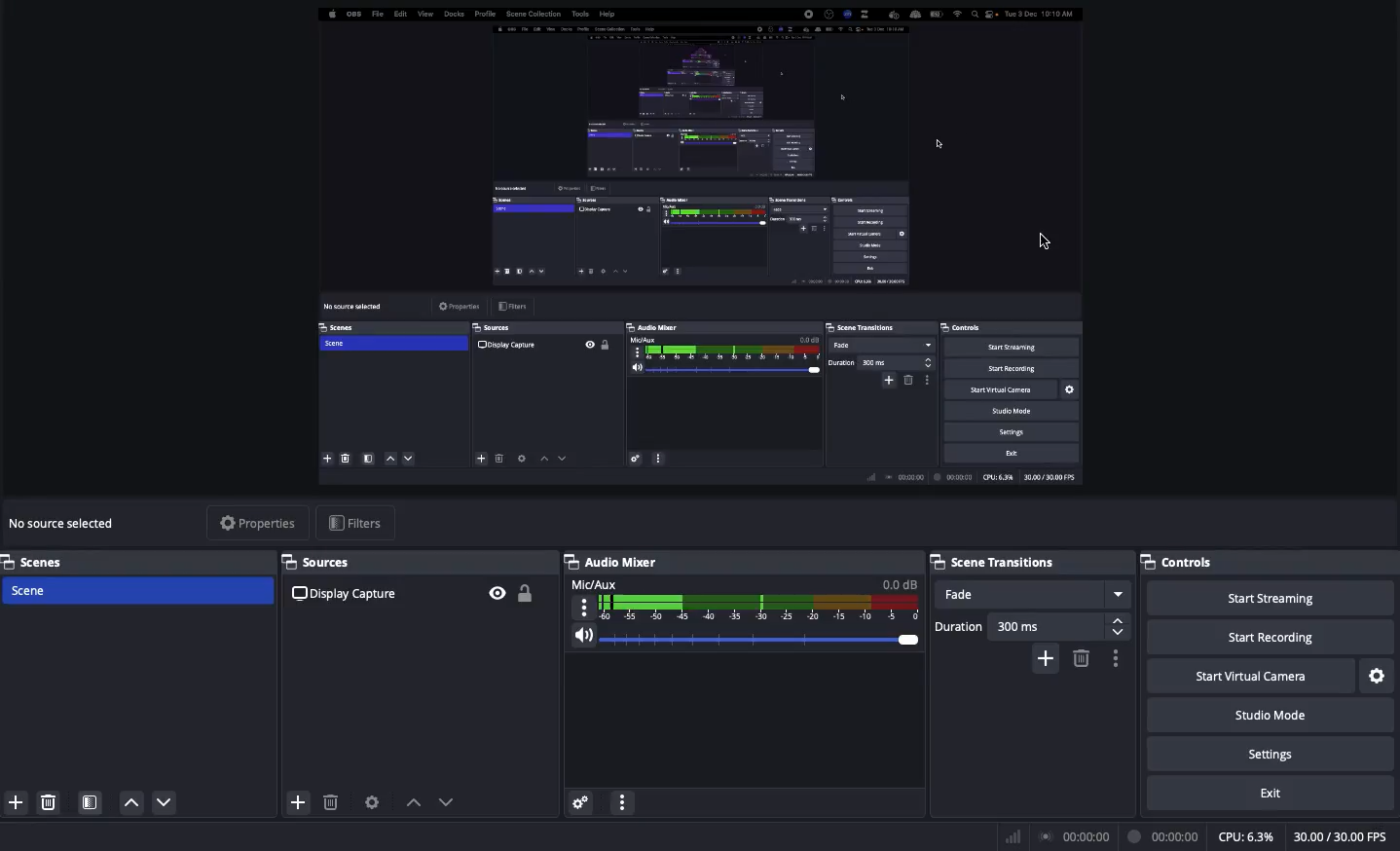 This screenshot has width=1400, height=851. What do you see at coordinates (742, 598) in the screenshot?
I see `Mic/Aux` at bounding box center [742, 598].